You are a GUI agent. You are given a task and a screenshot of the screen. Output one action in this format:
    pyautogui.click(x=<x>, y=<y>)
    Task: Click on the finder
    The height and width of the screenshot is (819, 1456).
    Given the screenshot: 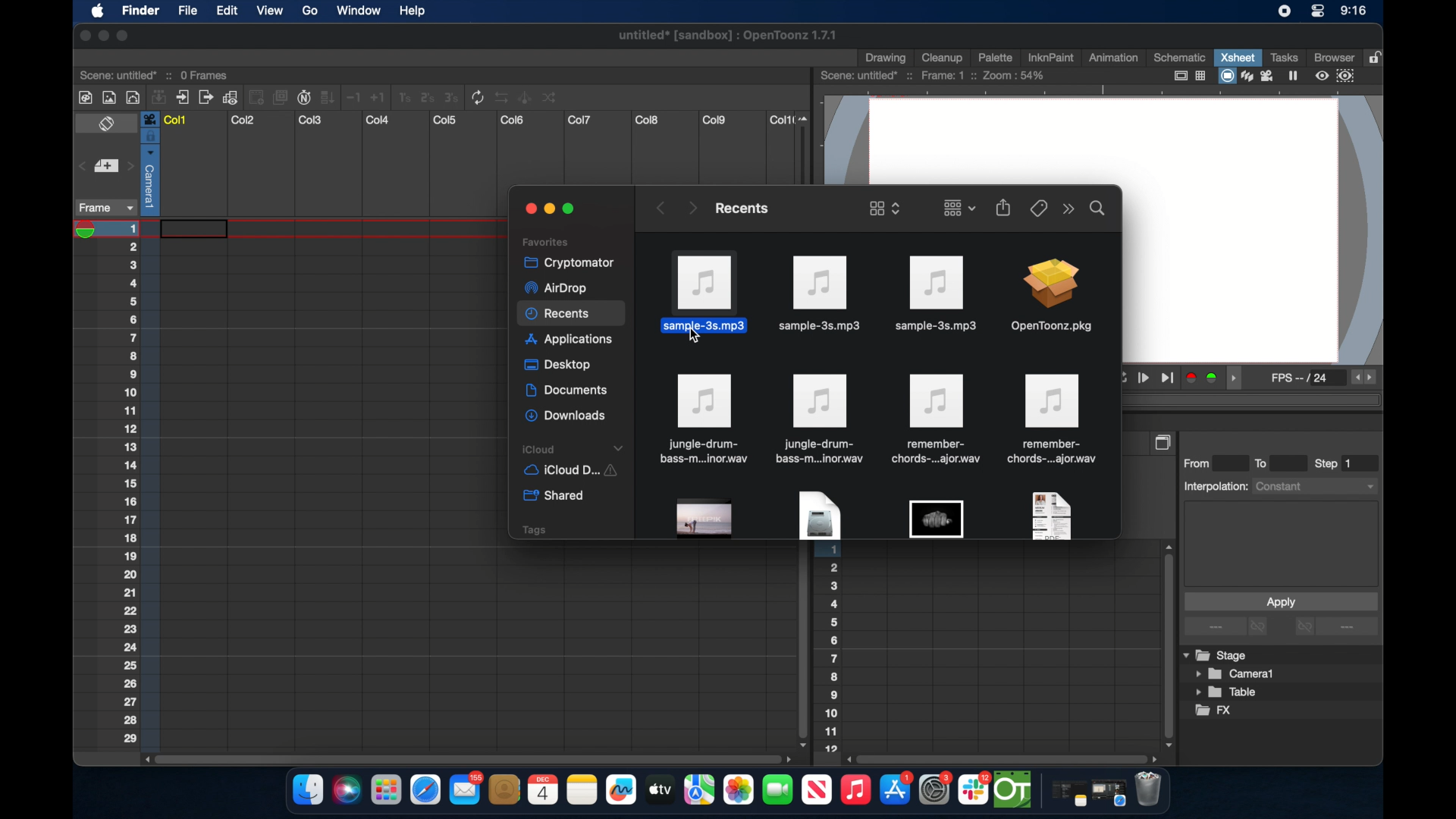 What is the action you would take?
    pyautogui.click(x=140, y=12)
    